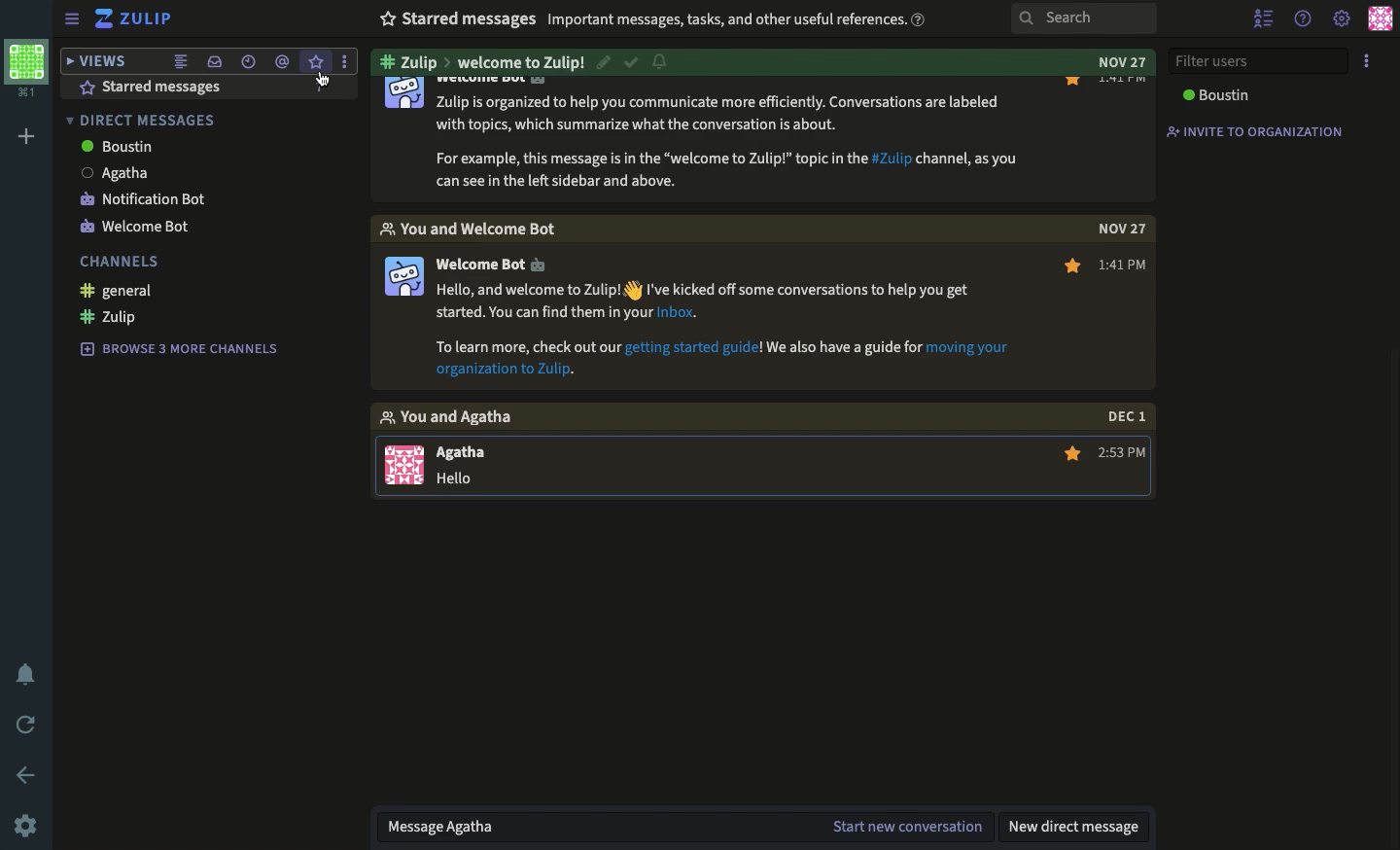 This screenshot has height=850, width=1400. I want to click on star, so click(1071, 455).